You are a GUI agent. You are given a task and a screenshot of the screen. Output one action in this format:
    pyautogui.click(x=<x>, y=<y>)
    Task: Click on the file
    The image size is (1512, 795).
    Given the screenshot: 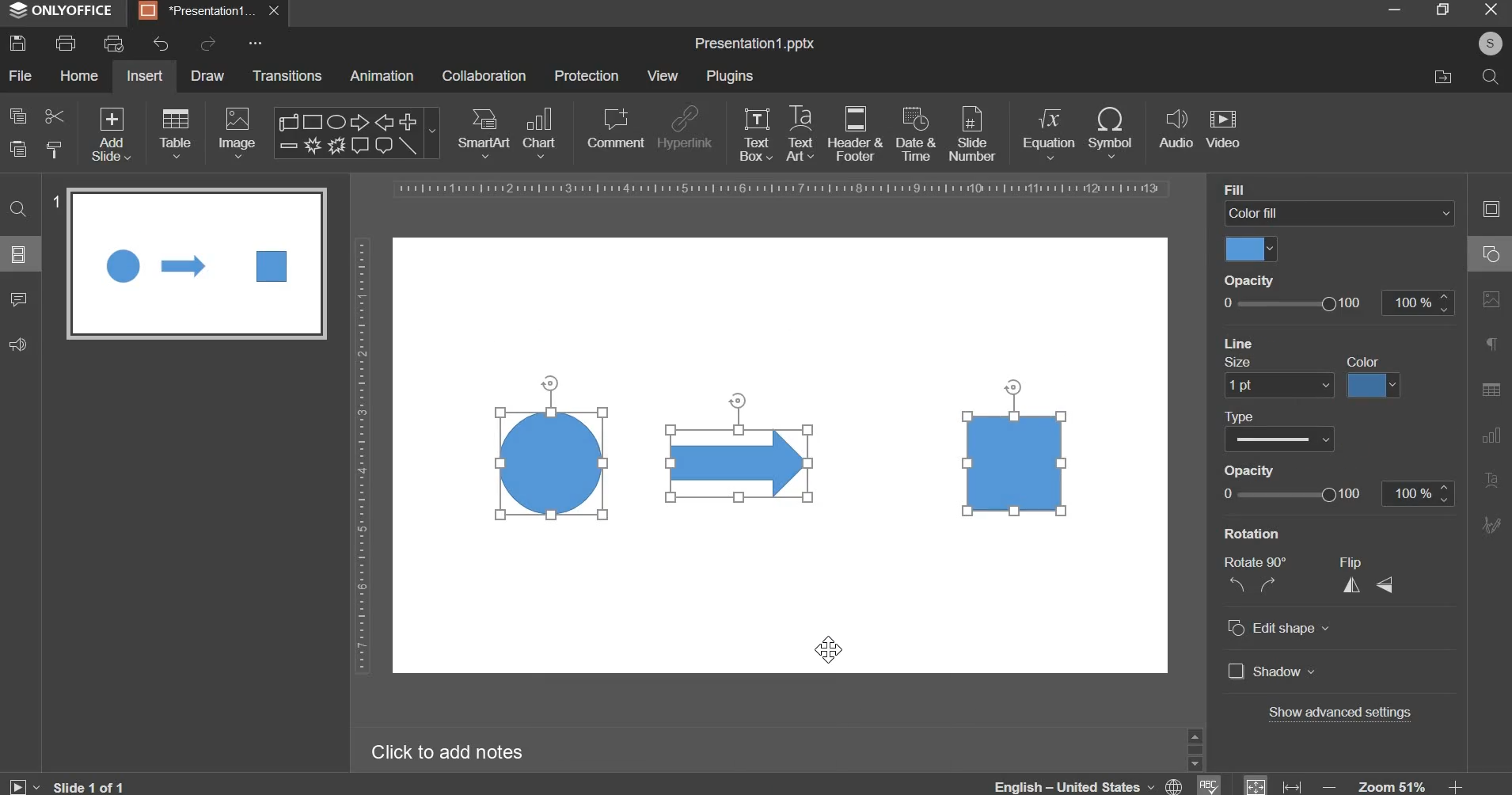 What is the action you would take?
    pyautogui.click(x=20, y=75)
    